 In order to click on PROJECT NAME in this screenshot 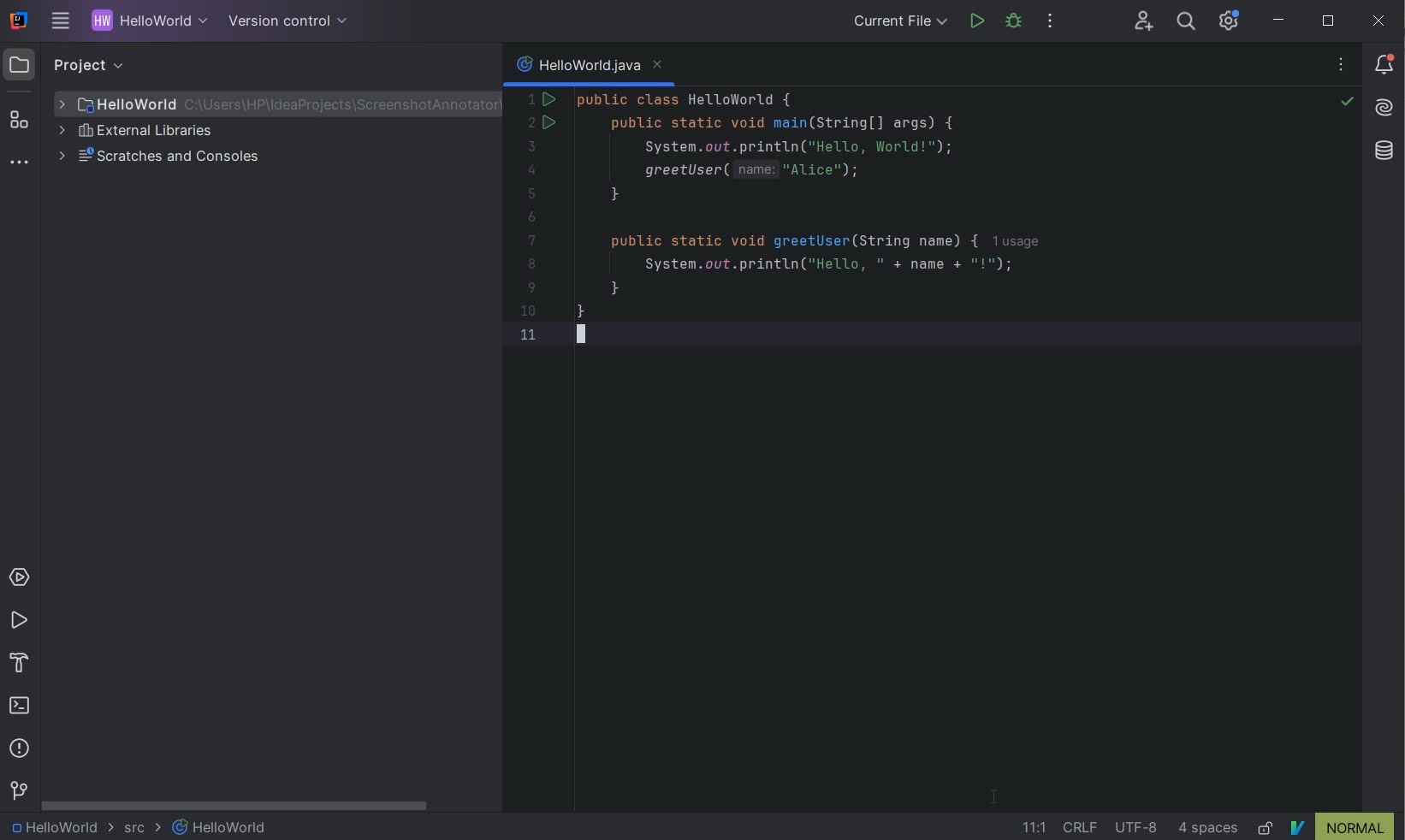, I will do `click(60, 828)`.